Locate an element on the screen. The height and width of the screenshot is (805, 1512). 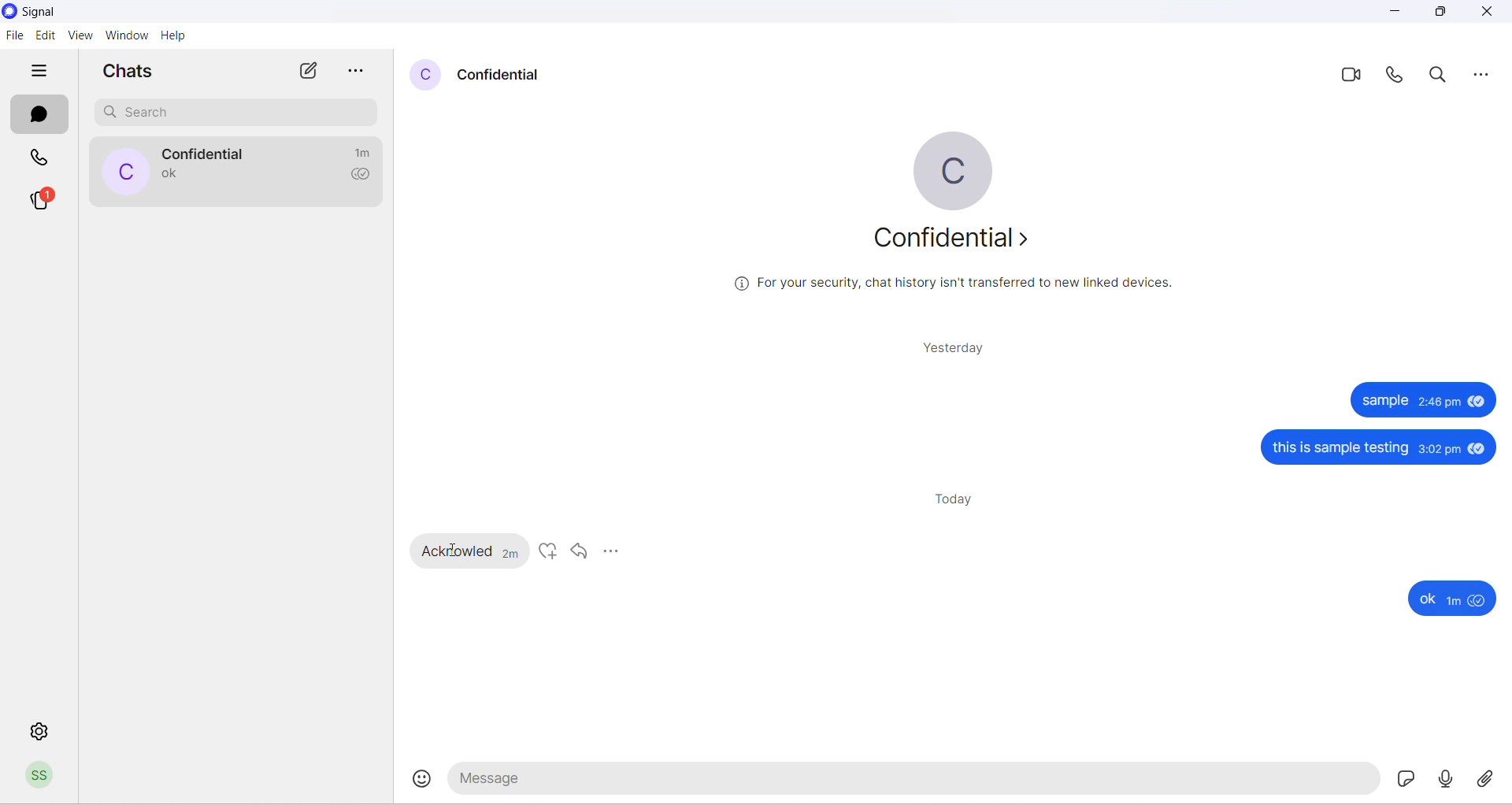
more options is located at coordinates (1490, 75).